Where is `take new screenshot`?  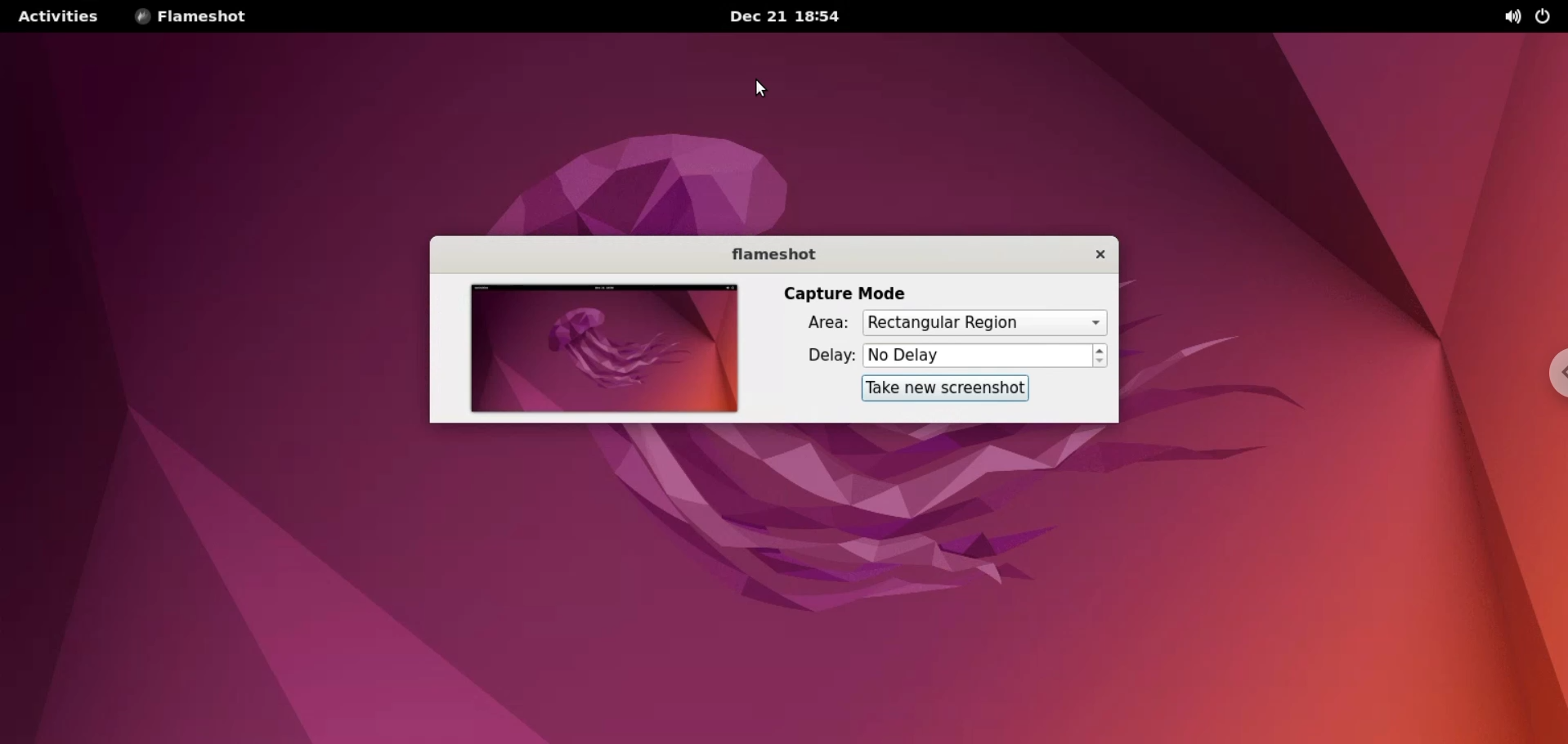
take new screenshot is located at coordinates (943, 388).